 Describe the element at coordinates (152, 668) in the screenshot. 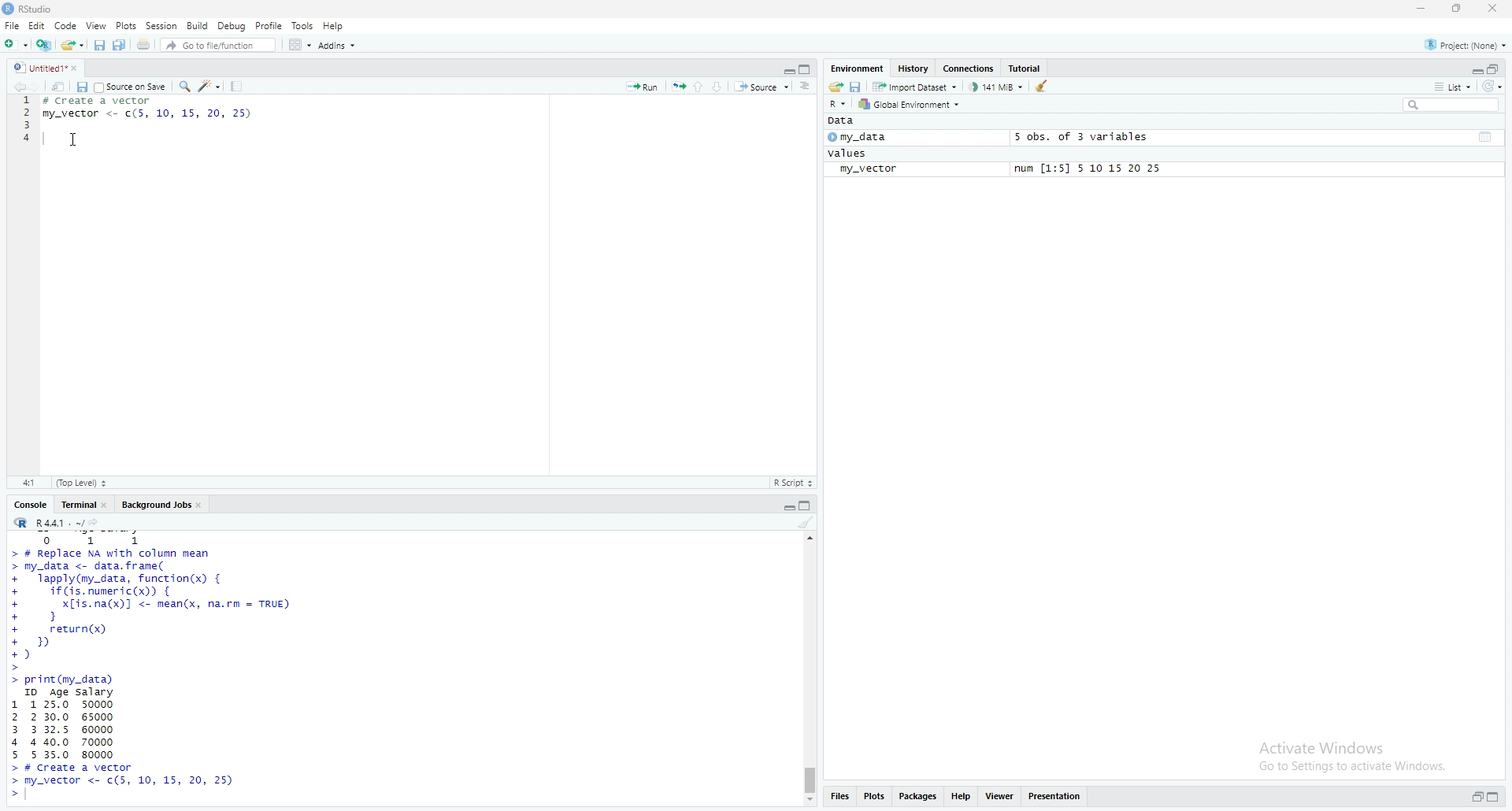

I see `data frame set` at that location.